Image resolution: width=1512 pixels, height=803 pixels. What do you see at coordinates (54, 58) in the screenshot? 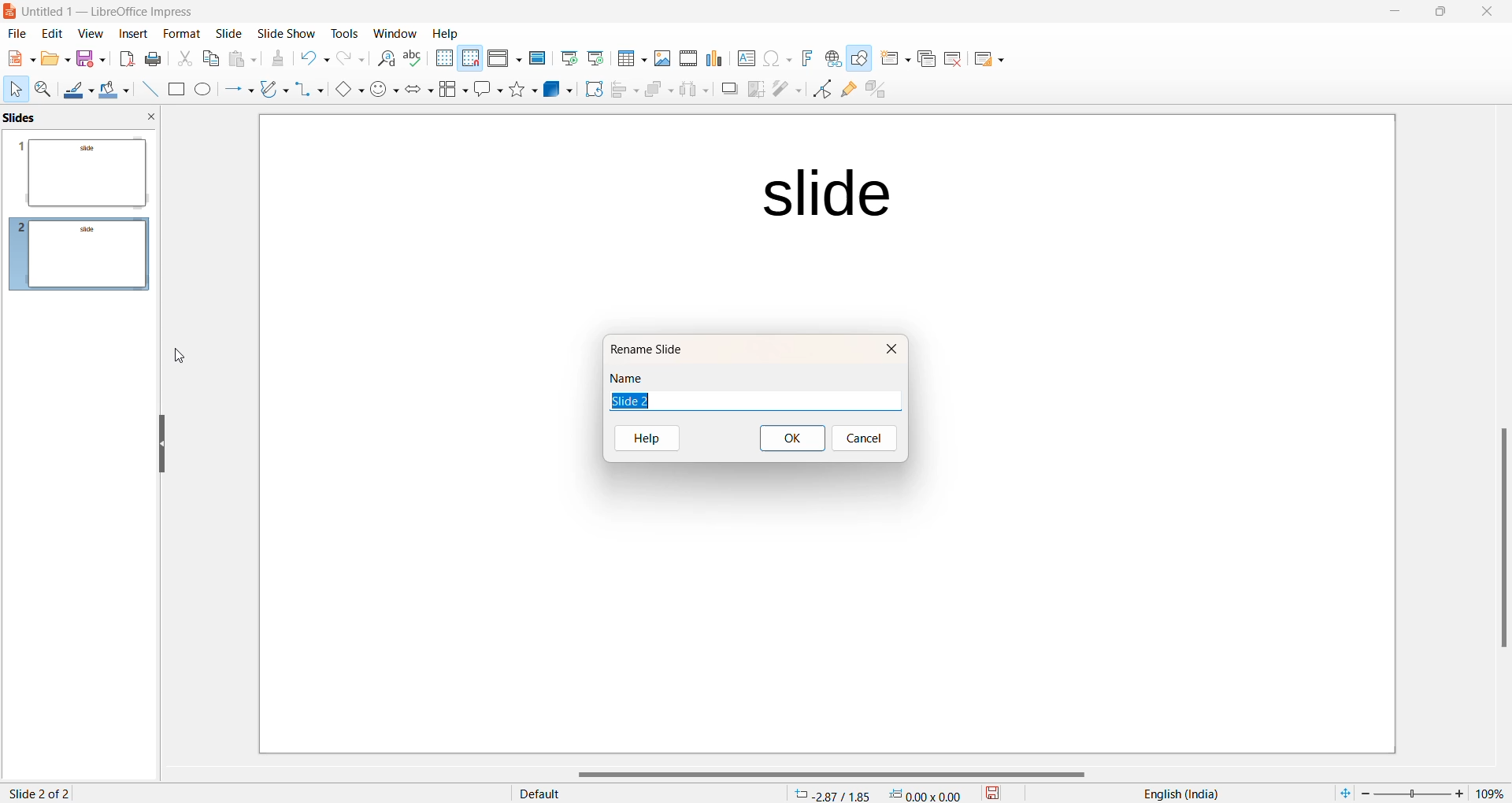
I see `New file` at bounding box center [54, 58].